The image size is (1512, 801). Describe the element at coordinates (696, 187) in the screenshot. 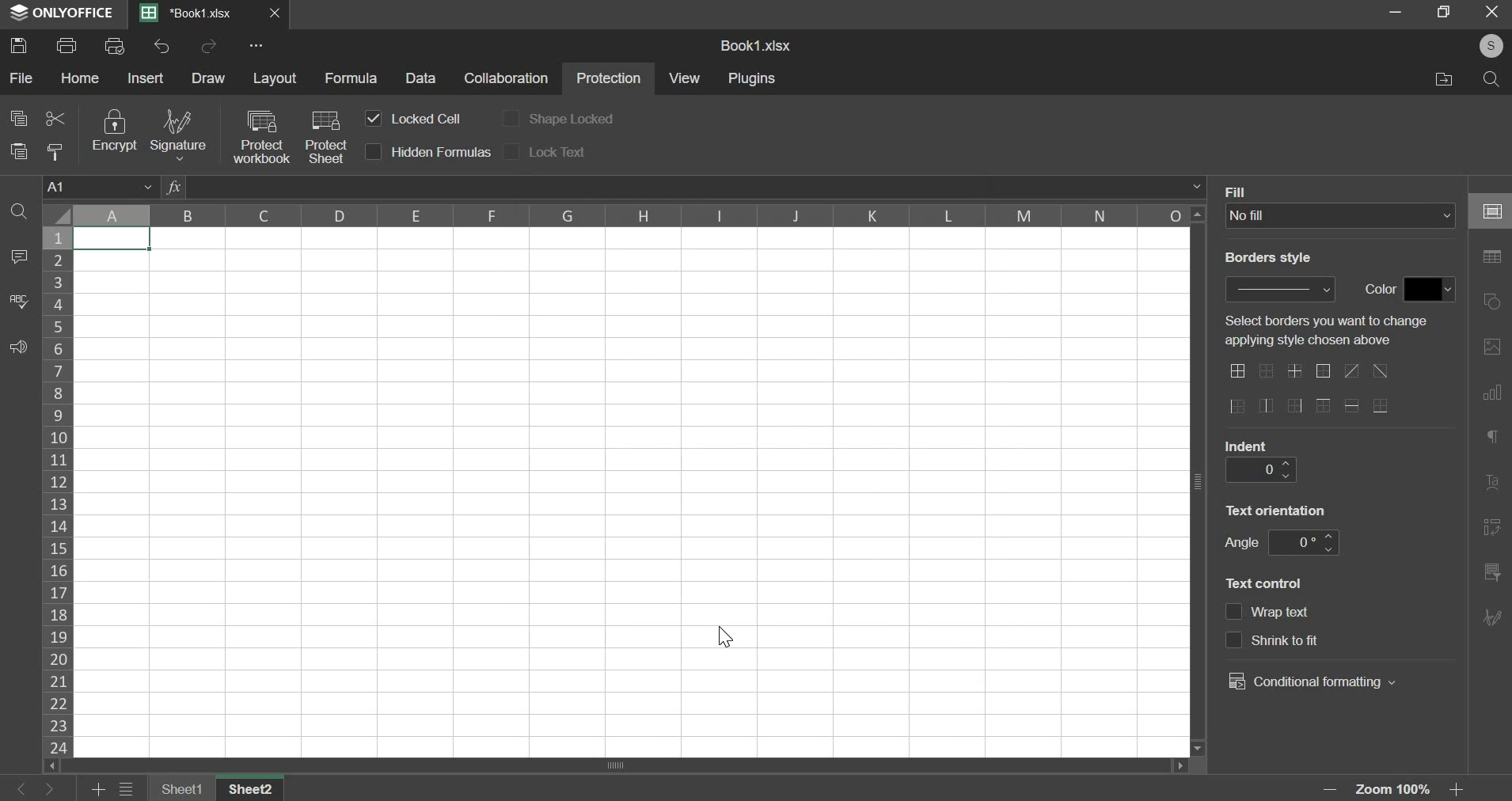

I see `formula bar` at that location.